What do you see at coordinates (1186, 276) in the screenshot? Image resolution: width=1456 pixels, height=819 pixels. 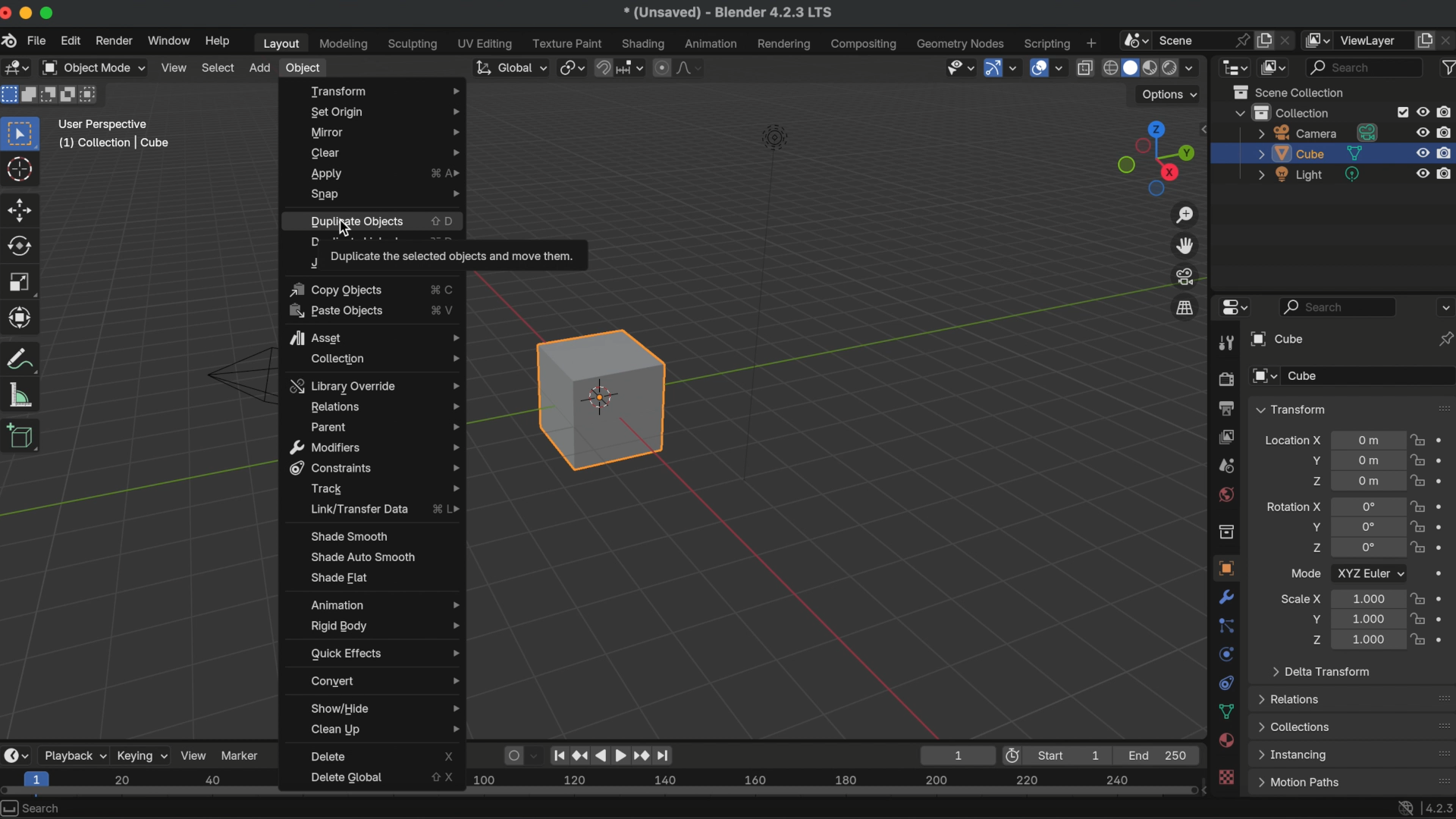 I see `toggle camera view` at bounding box center [1186, 276].